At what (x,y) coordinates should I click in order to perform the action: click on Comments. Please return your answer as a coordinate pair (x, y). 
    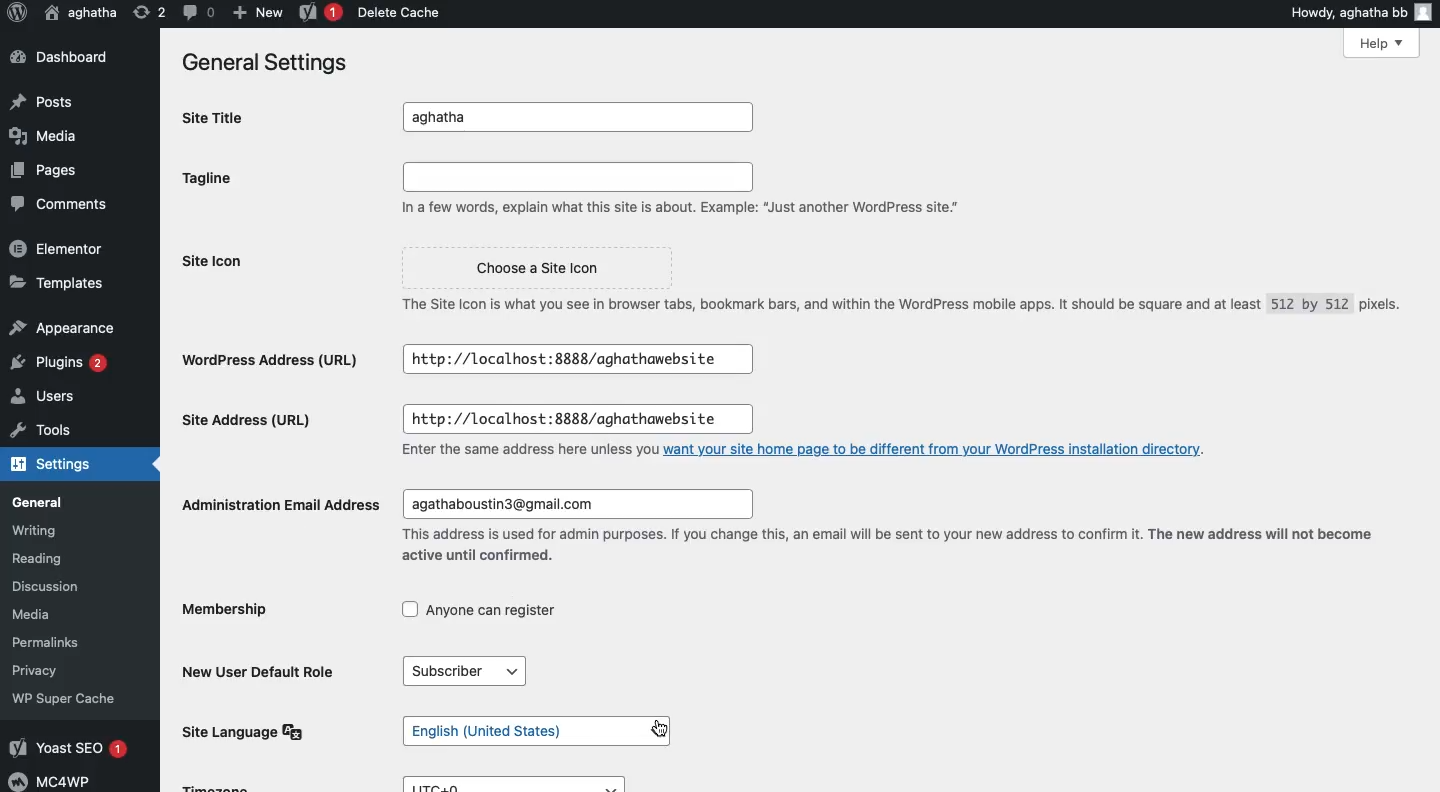
    Looking at the image, I should click on (54, 201).